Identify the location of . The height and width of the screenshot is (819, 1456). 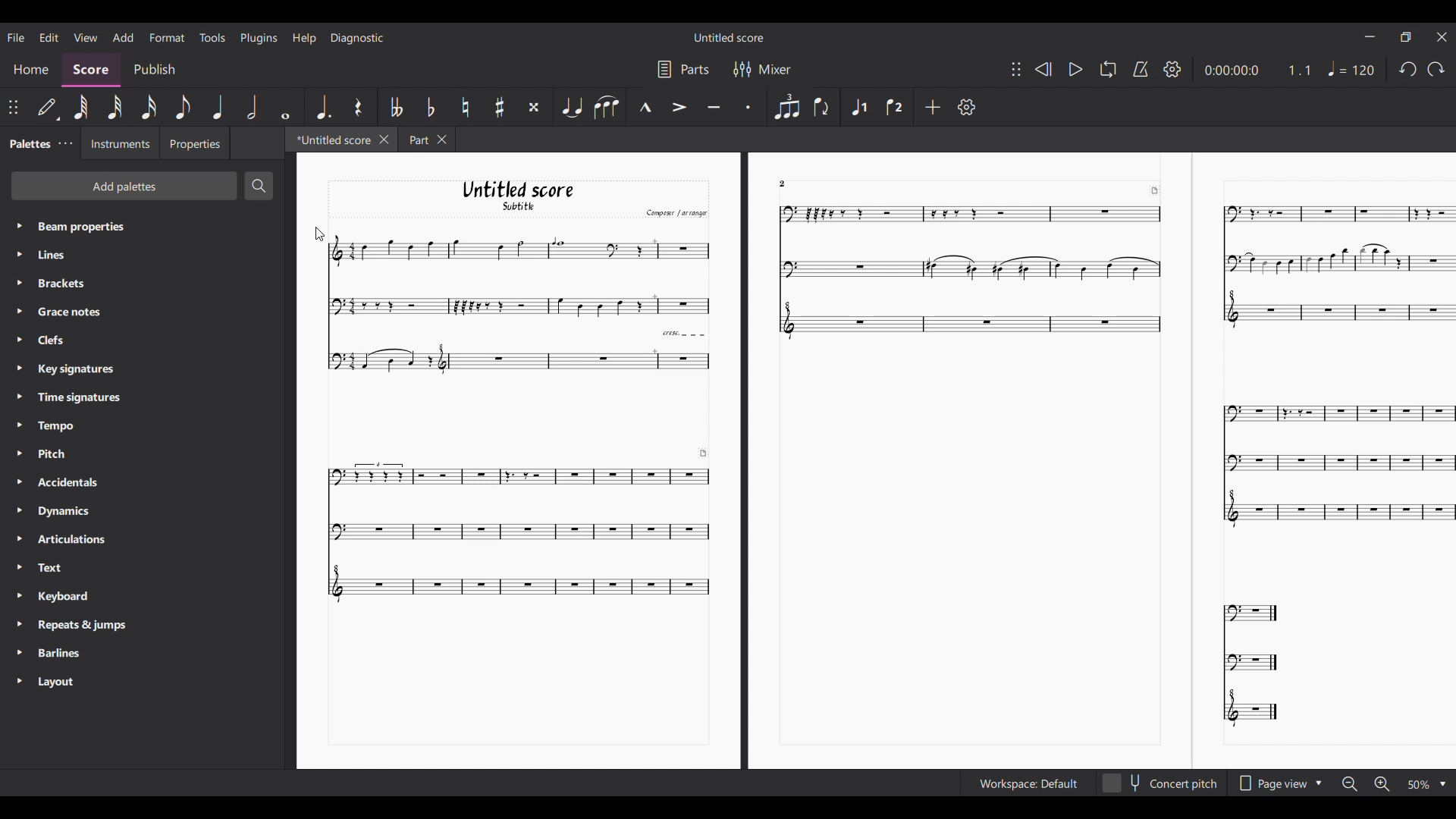
(521, 585).